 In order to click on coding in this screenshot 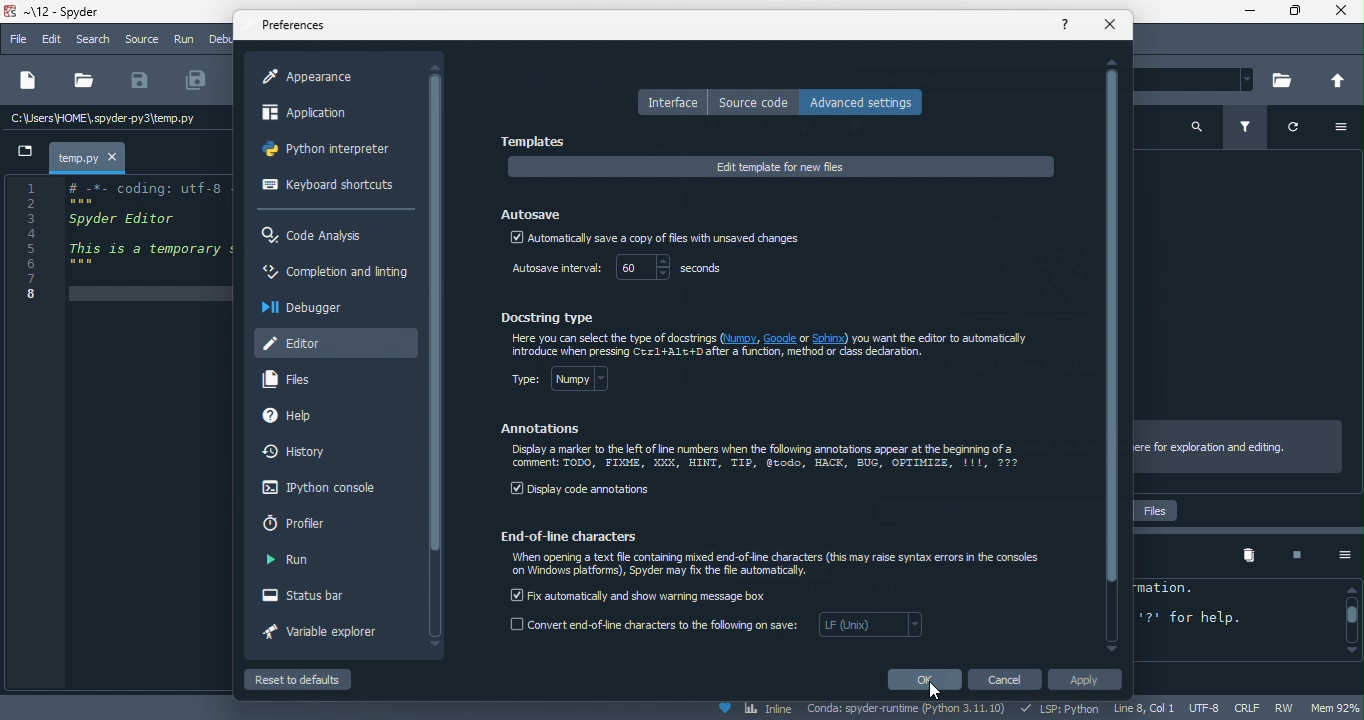, I will do `click(119, 240)`.